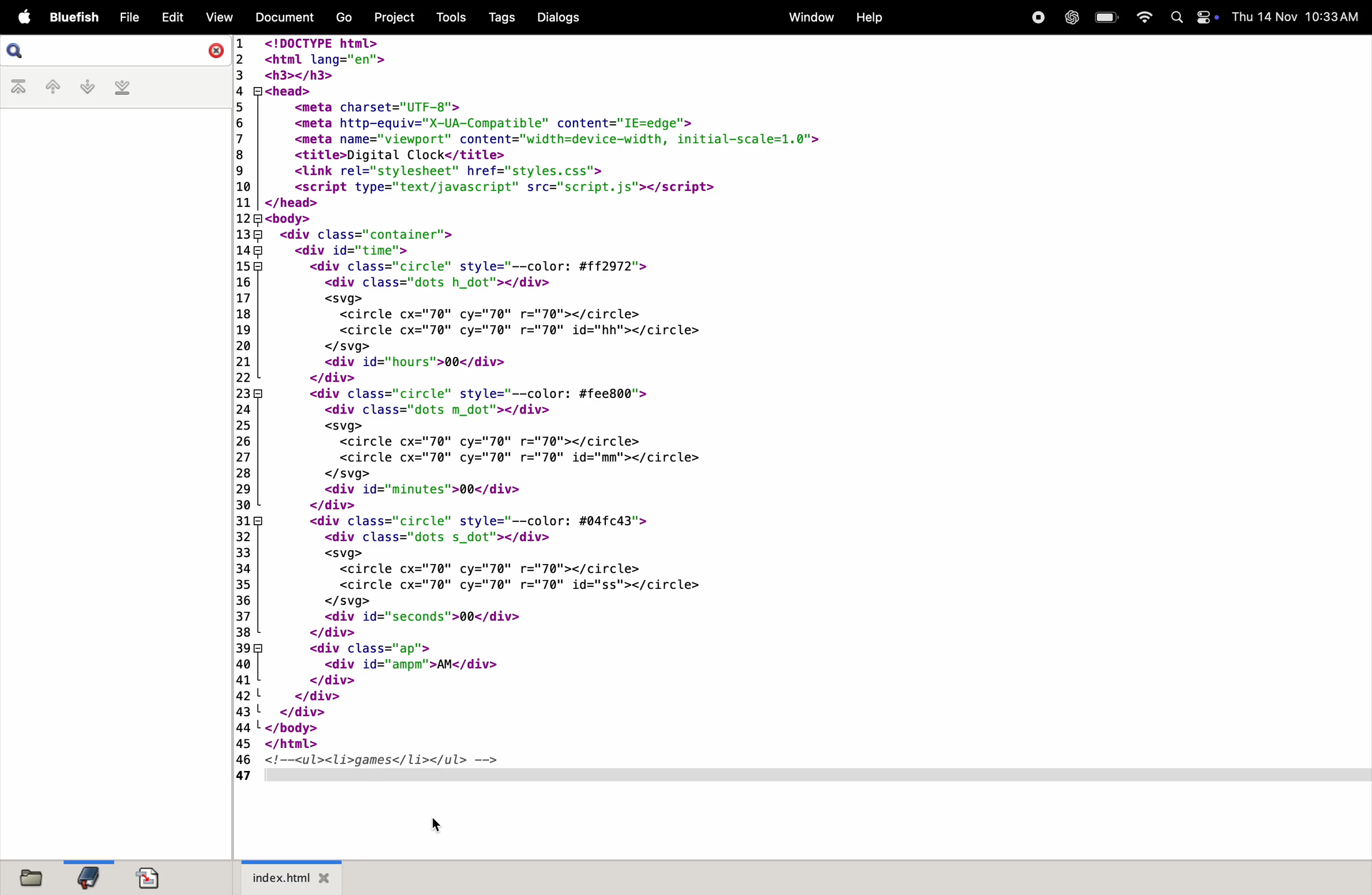 The width and height of the screenshot is (1372, 895). Describe the element at coordinates (344, 17) in the screenshot. I see `Go` at that location.